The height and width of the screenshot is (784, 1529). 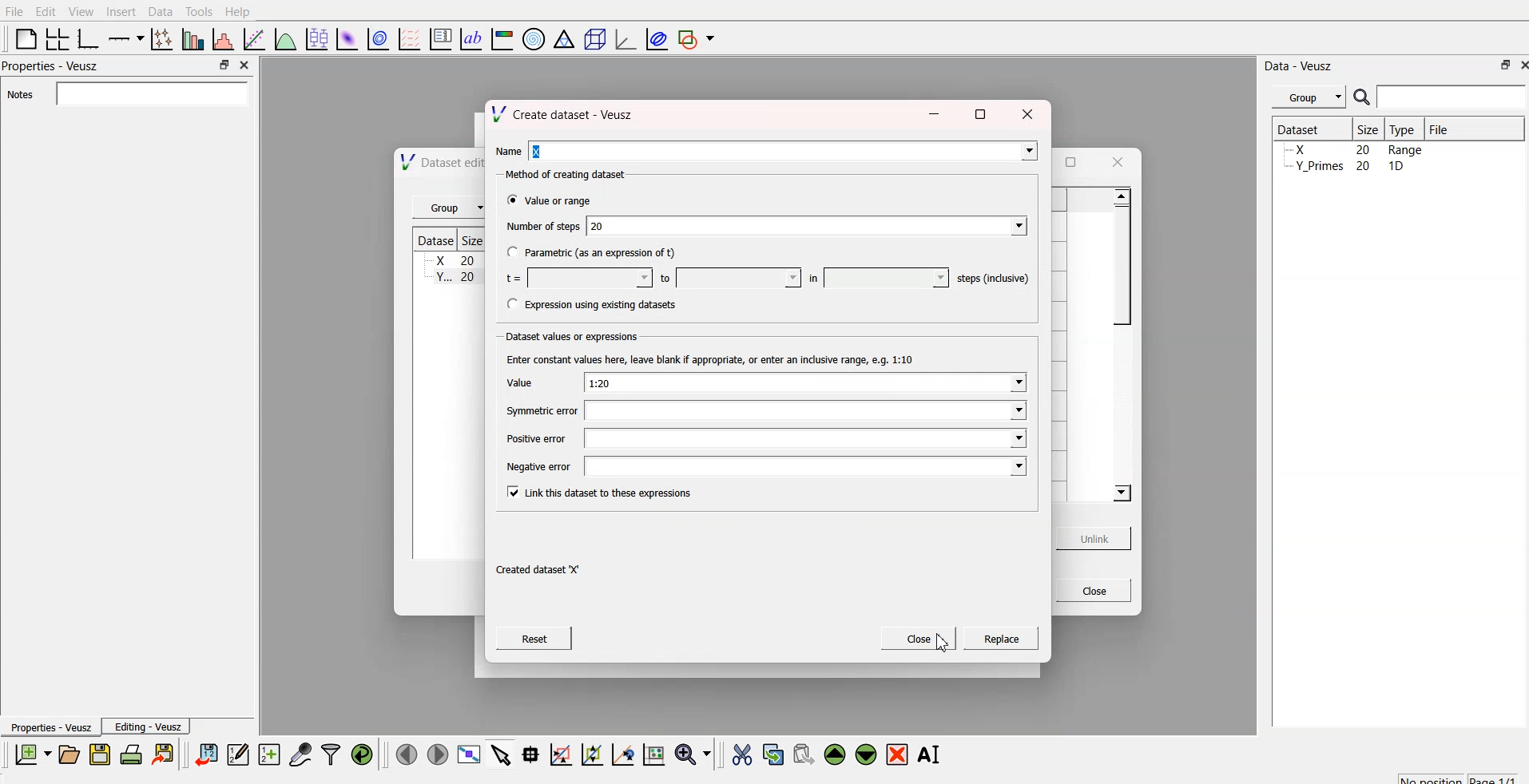 I want to click on close, so click(x=1123, y=159).